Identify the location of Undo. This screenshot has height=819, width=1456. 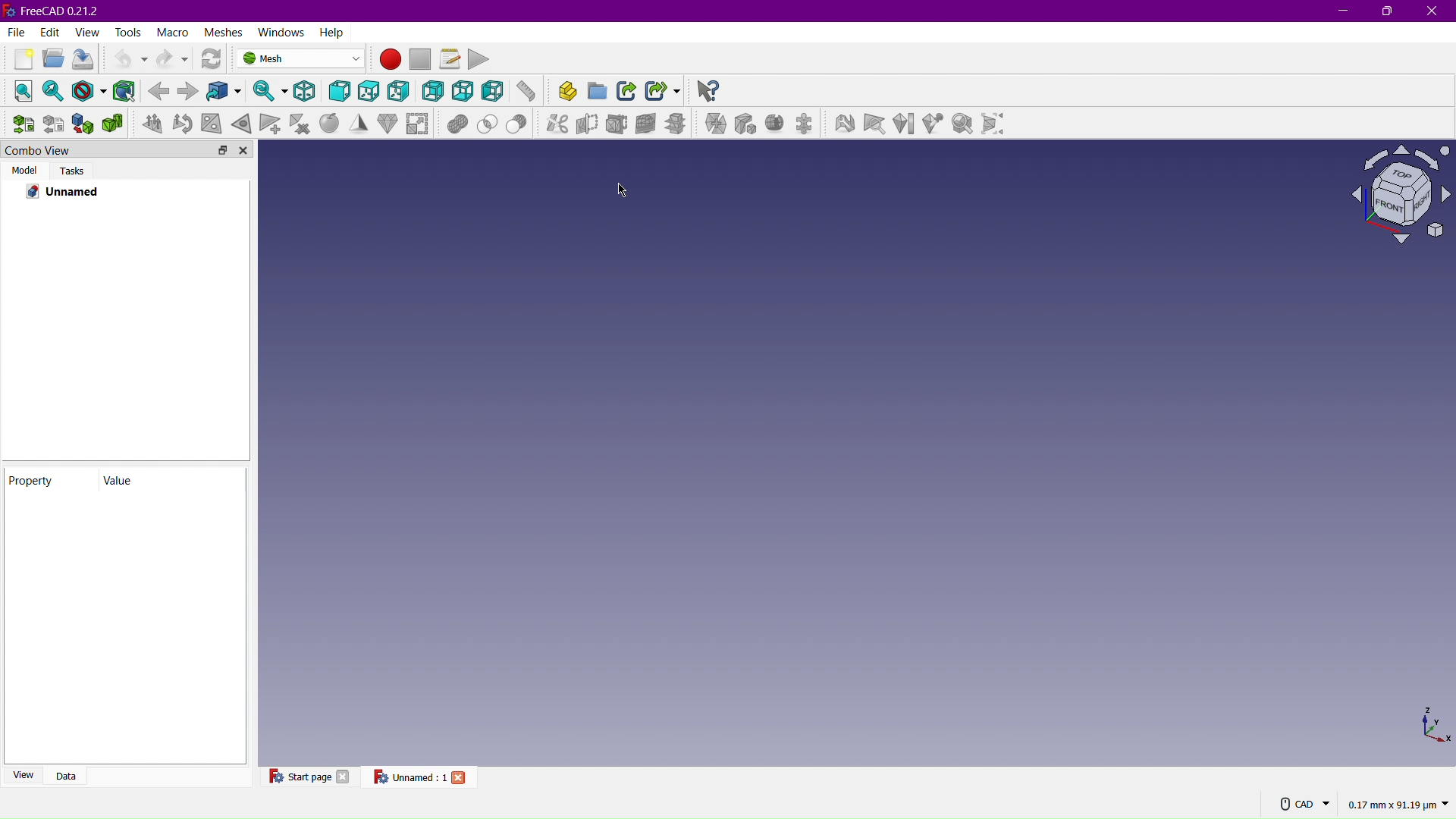
(126, 59).